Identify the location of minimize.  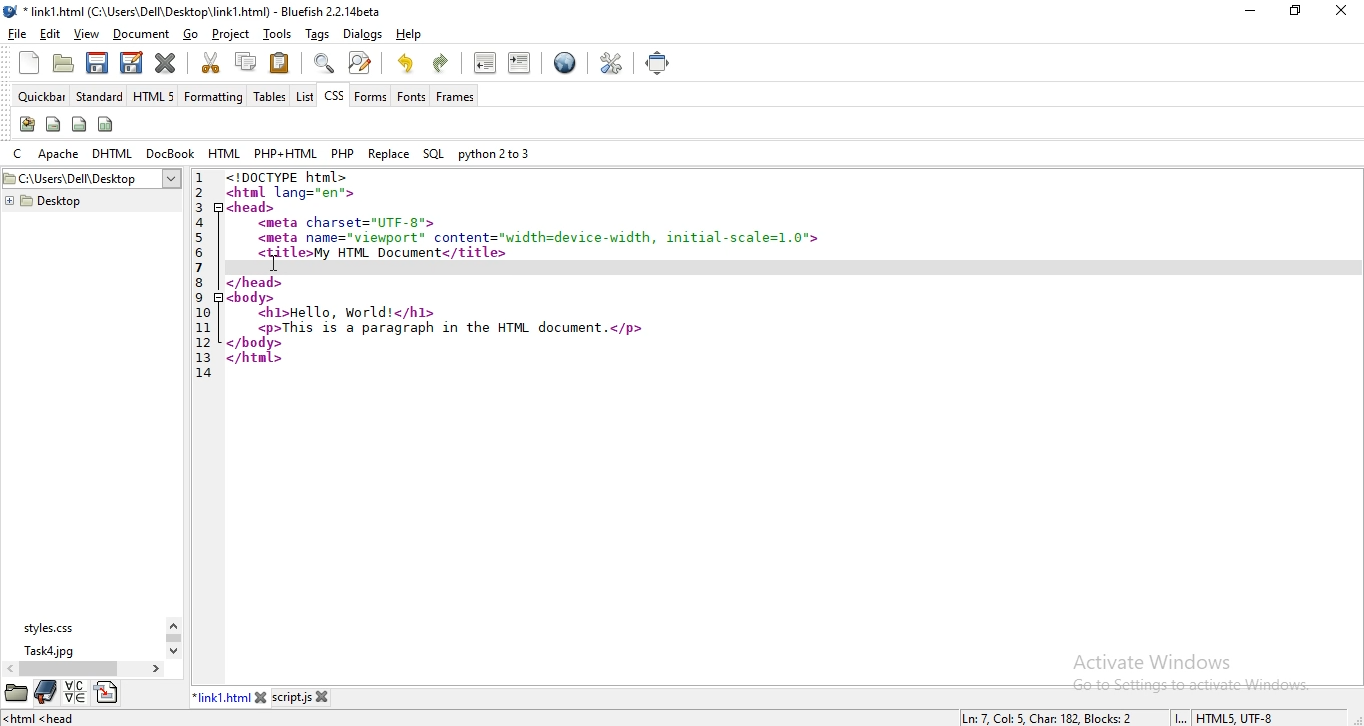
(1249, 9).